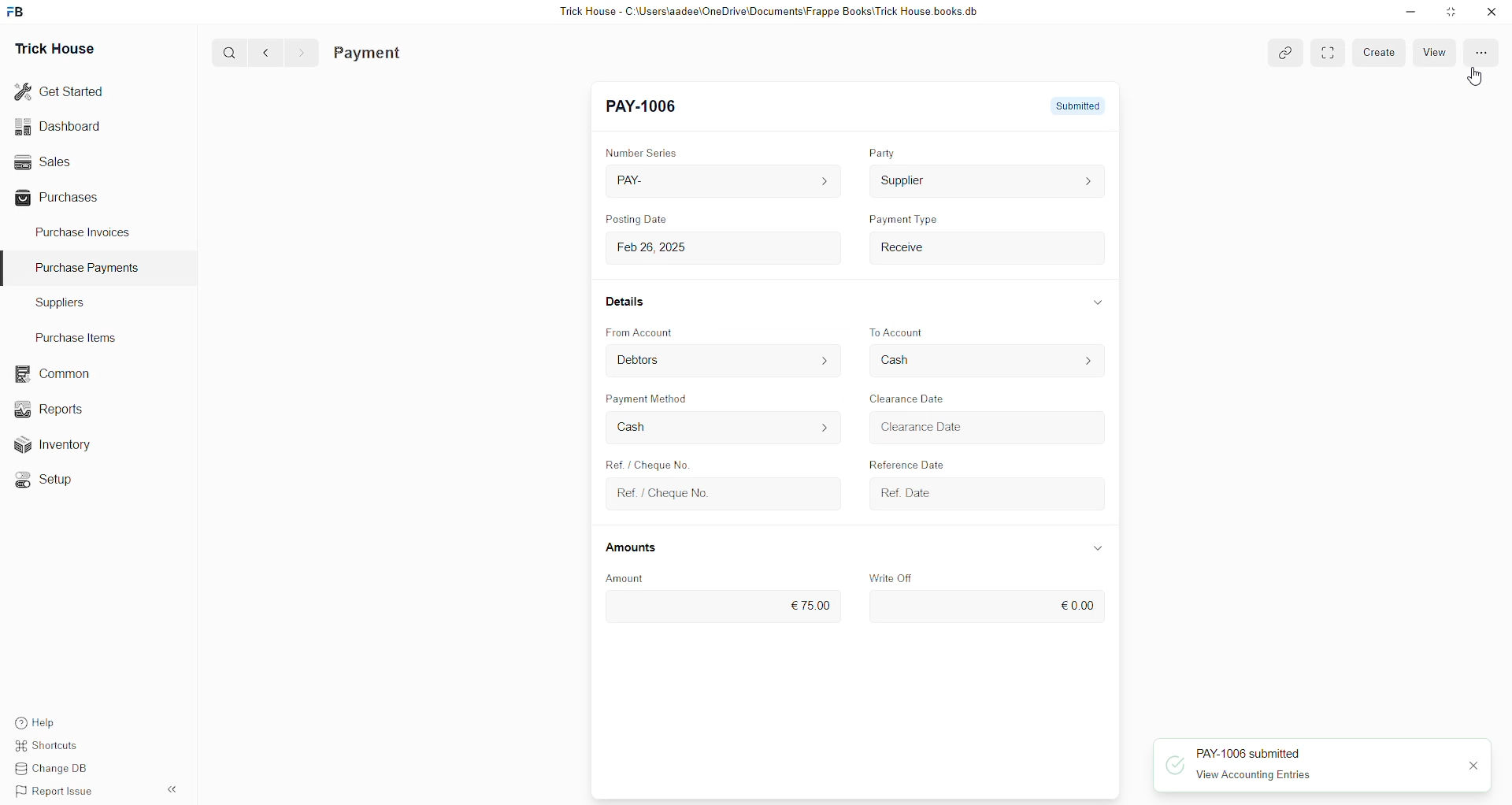  What do you see at coordinates (1452, 15) in the screenshot?
I see `Maximize` at bounding box center [1452, 15].